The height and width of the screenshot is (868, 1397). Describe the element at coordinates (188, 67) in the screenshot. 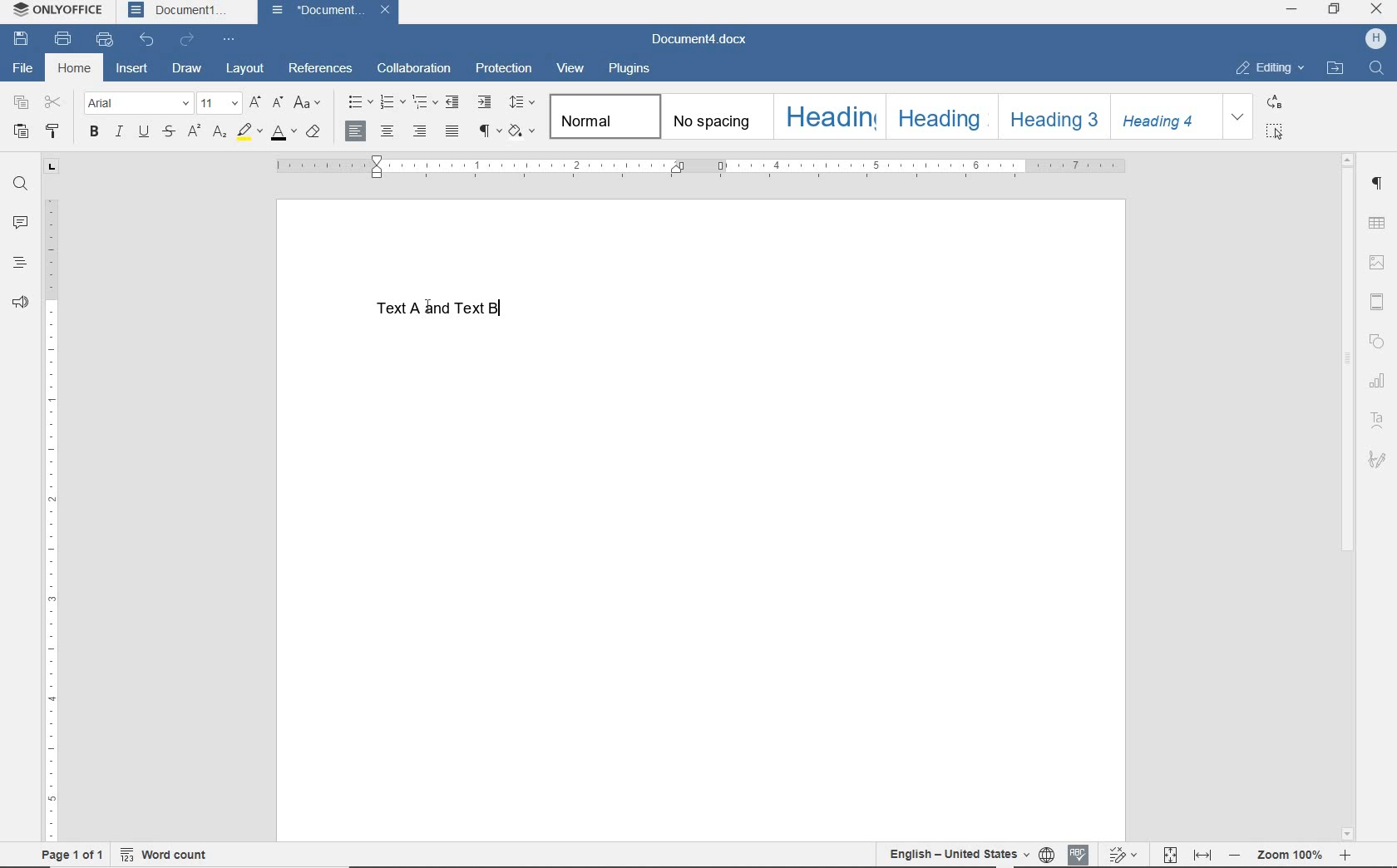

I see `DRAW` at that location.